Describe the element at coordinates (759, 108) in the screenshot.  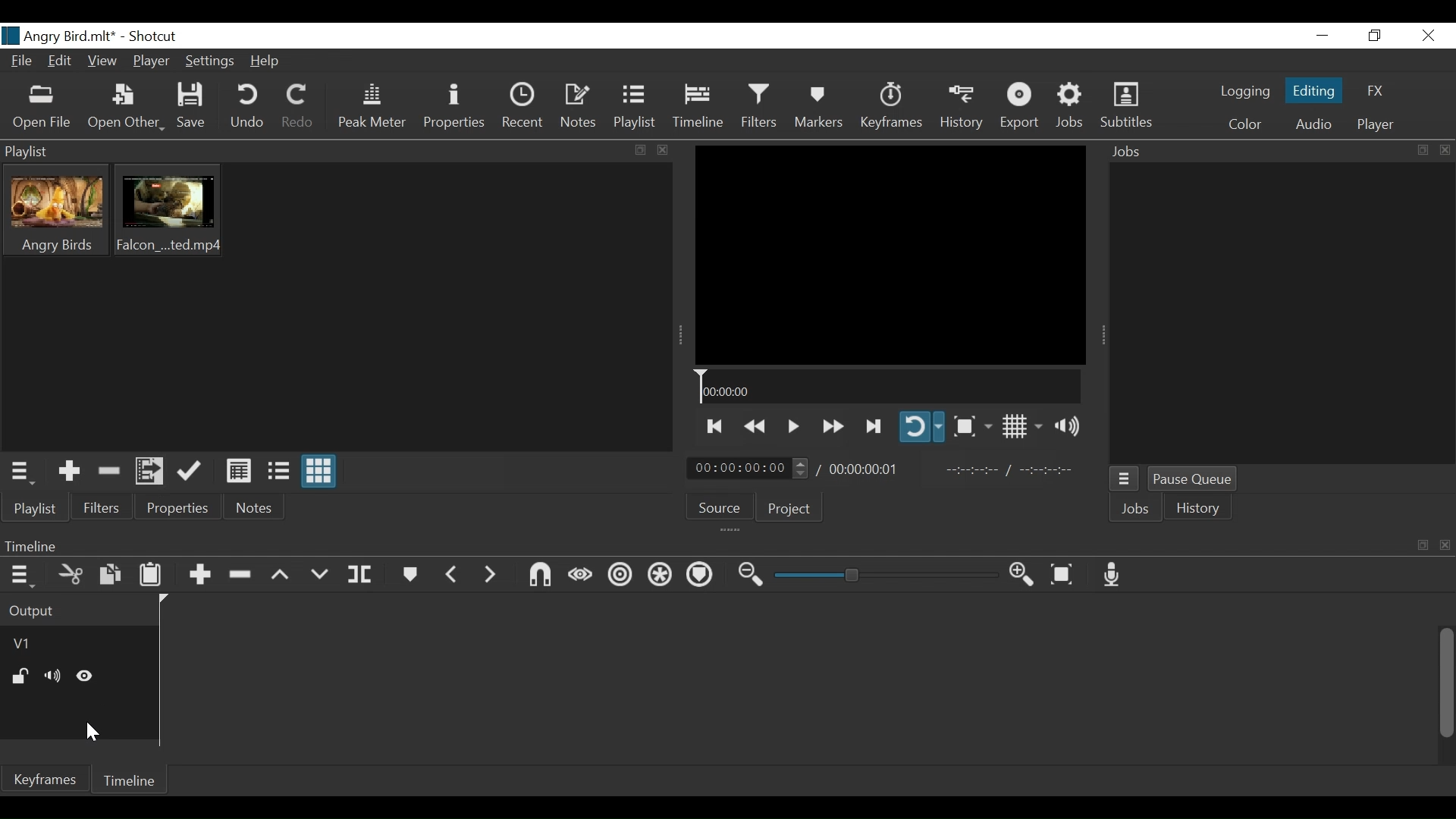
I see `` at that location.